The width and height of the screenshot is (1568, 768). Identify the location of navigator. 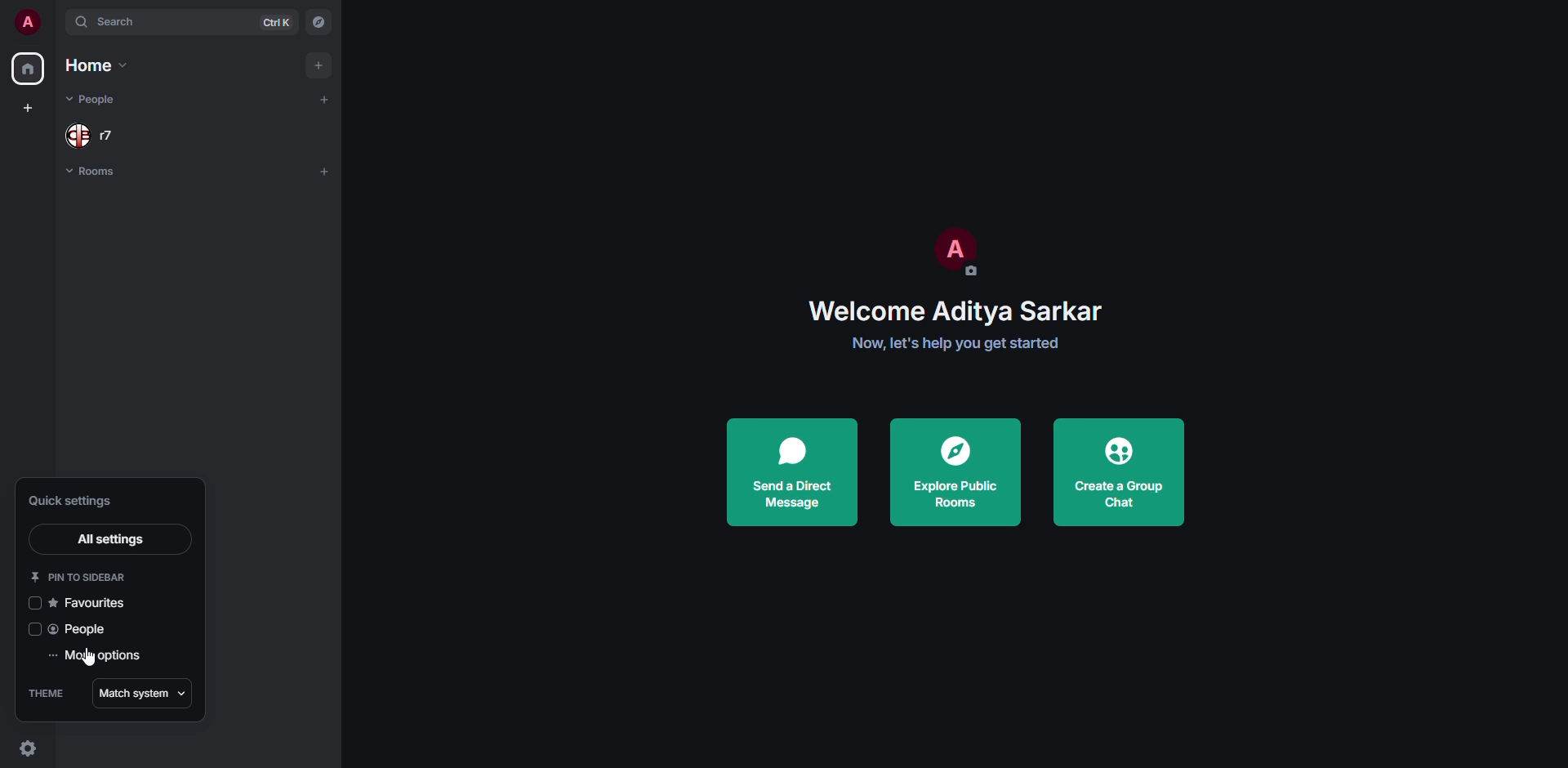
(321, 23).